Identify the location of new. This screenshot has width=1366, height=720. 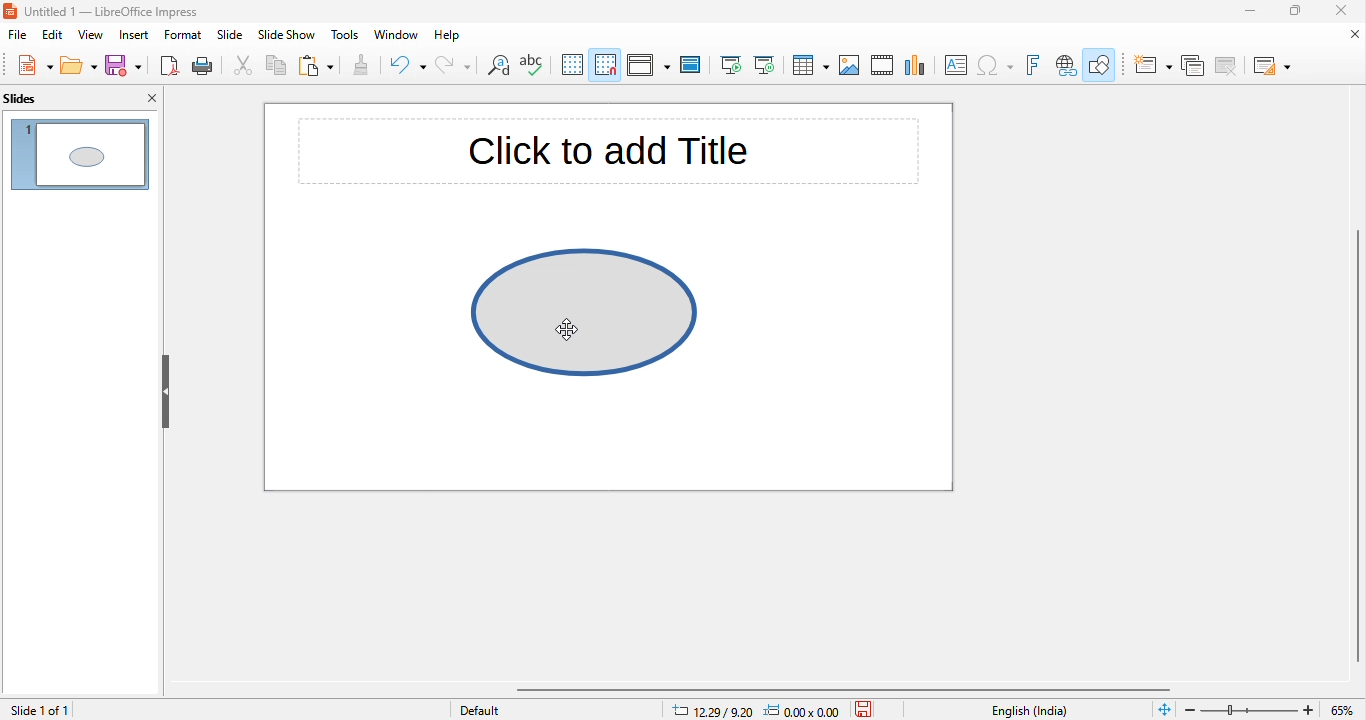
(28, 65).